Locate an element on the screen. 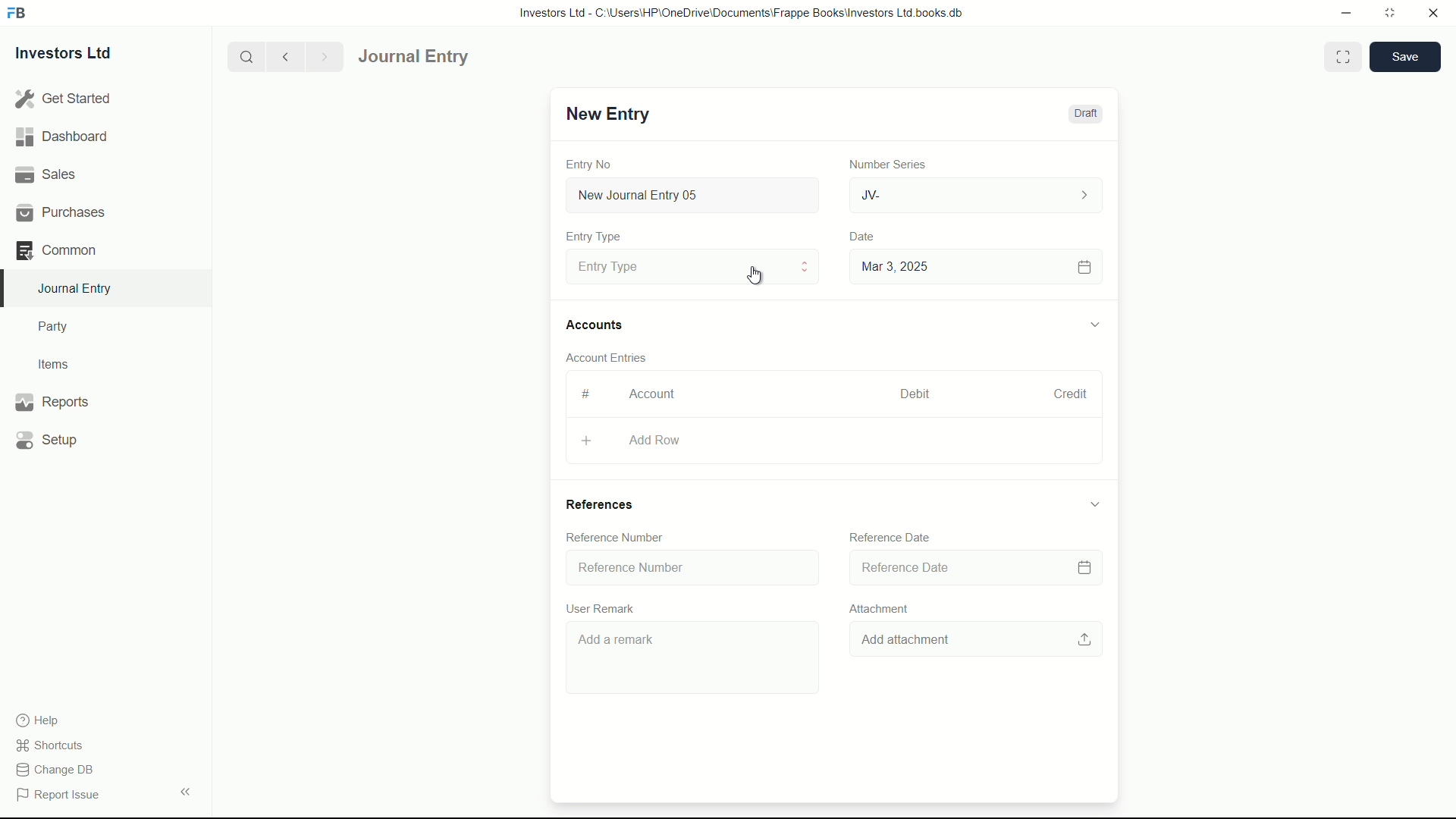  shortcuts is located at coordinates (53, 745).